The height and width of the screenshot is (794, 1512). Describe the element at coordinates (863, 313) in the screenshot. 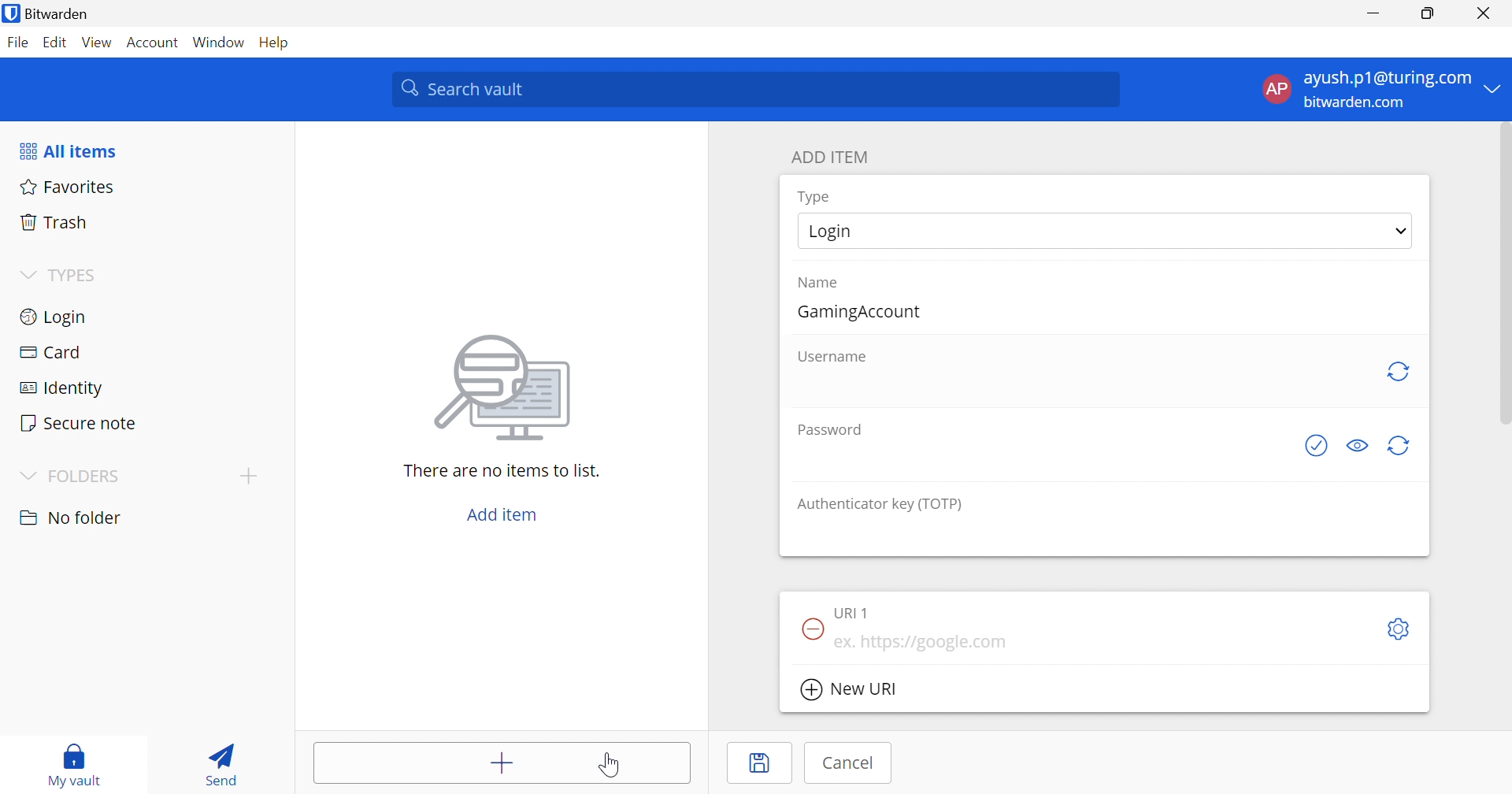

I see `GamingAccount` at that location.